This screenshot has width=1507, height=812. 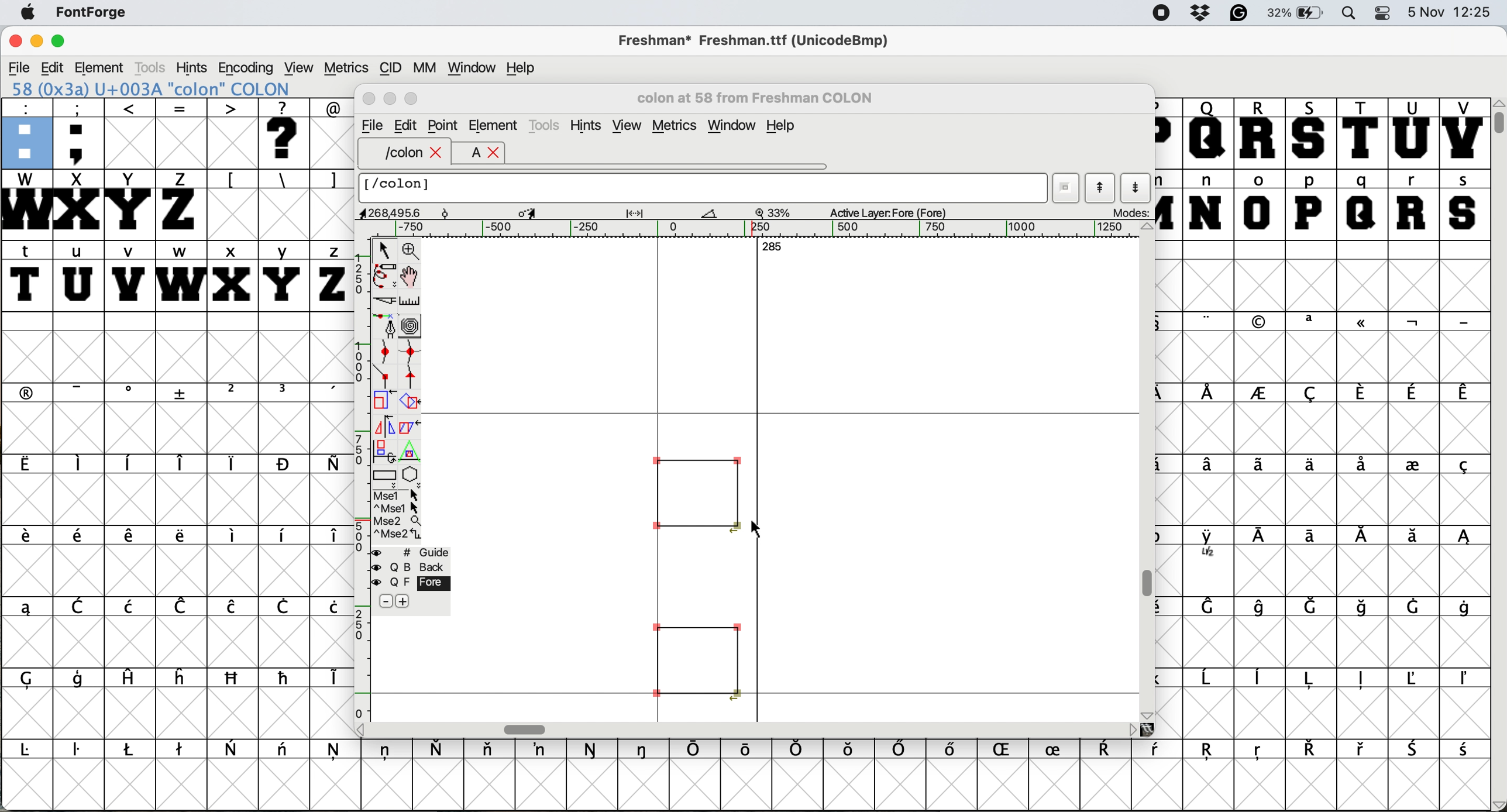 I want to click on symbol, so click(x=329, y=393).